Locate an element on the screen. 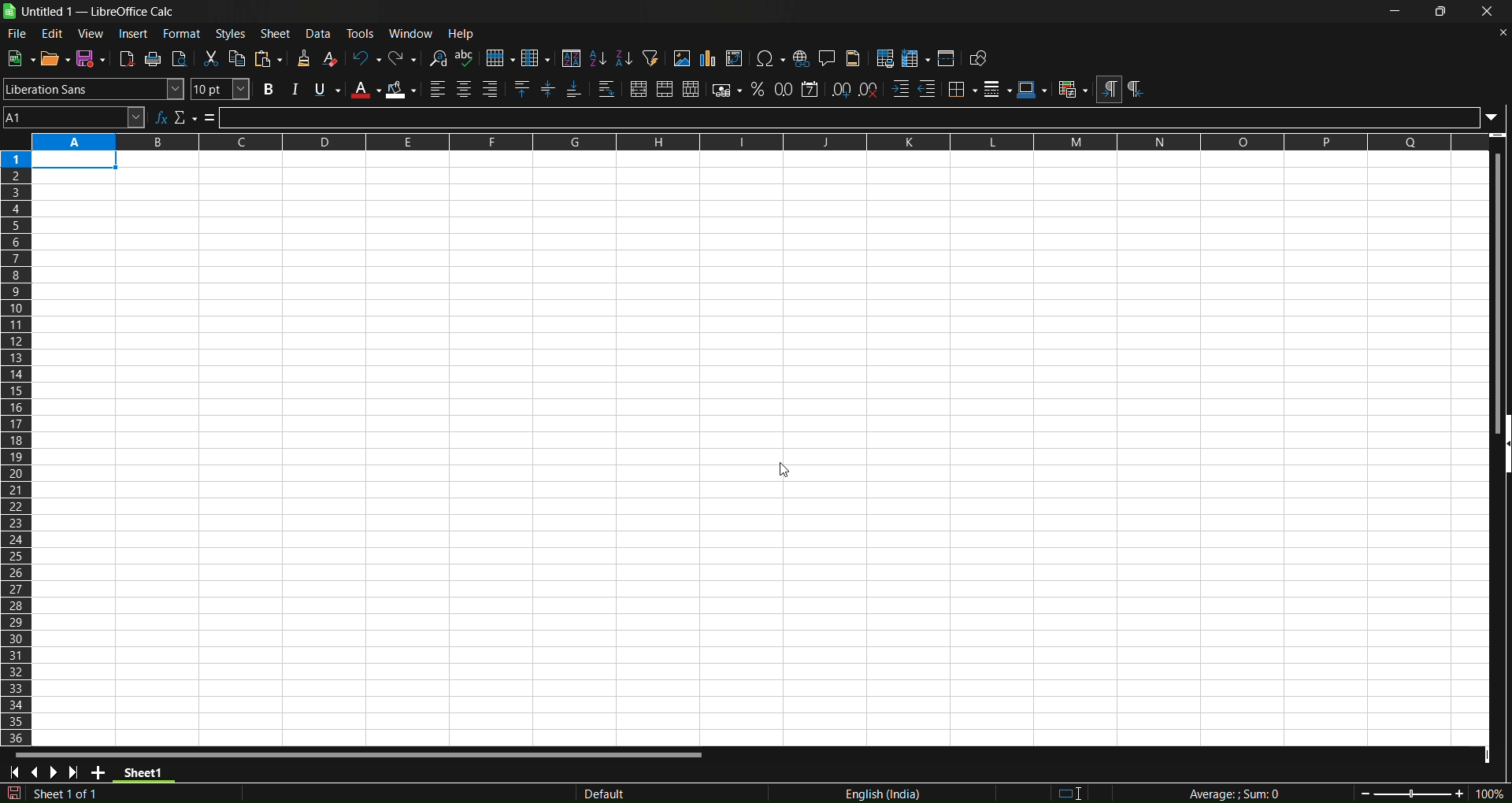 The height and width of the screenshot is (803, 1512). redo is located at coordinates (404, 57).